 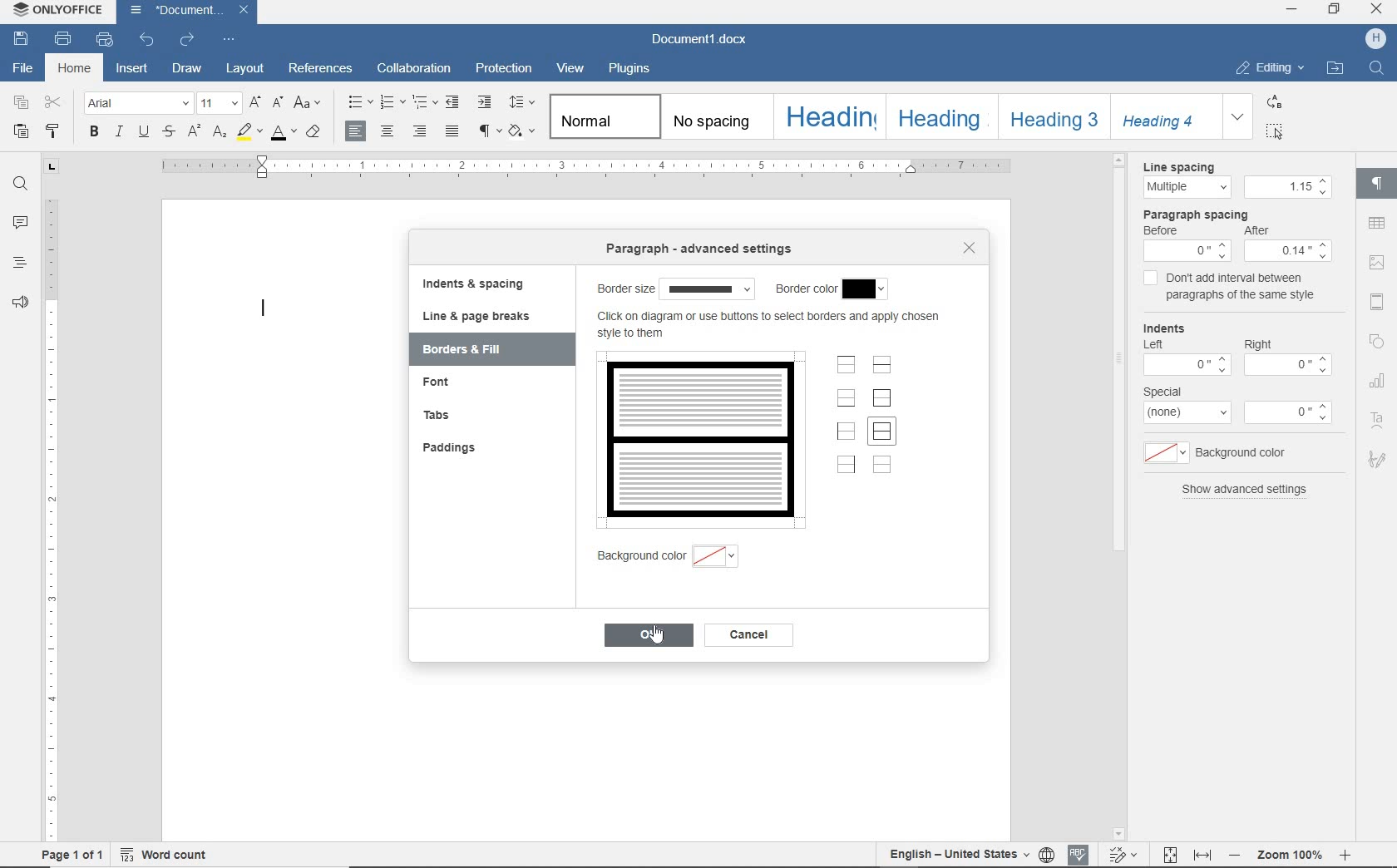 What do you see at coordinates (1336, 71) in the screenshot?
I see `OPEN FILE LOCATION` at bounding box center [1336, 71].